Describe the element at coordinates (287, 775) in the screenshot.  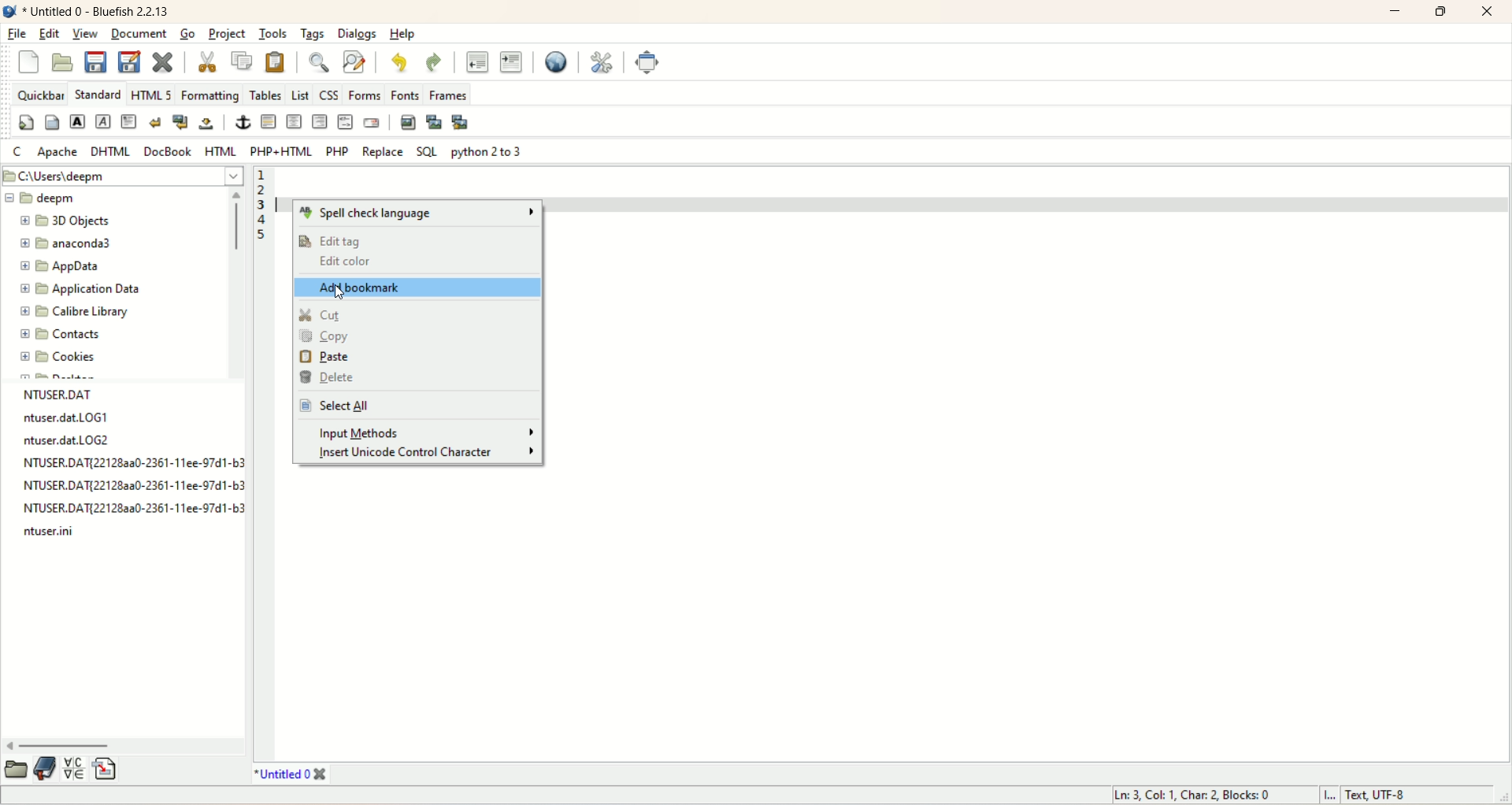
I see `title` at that location.